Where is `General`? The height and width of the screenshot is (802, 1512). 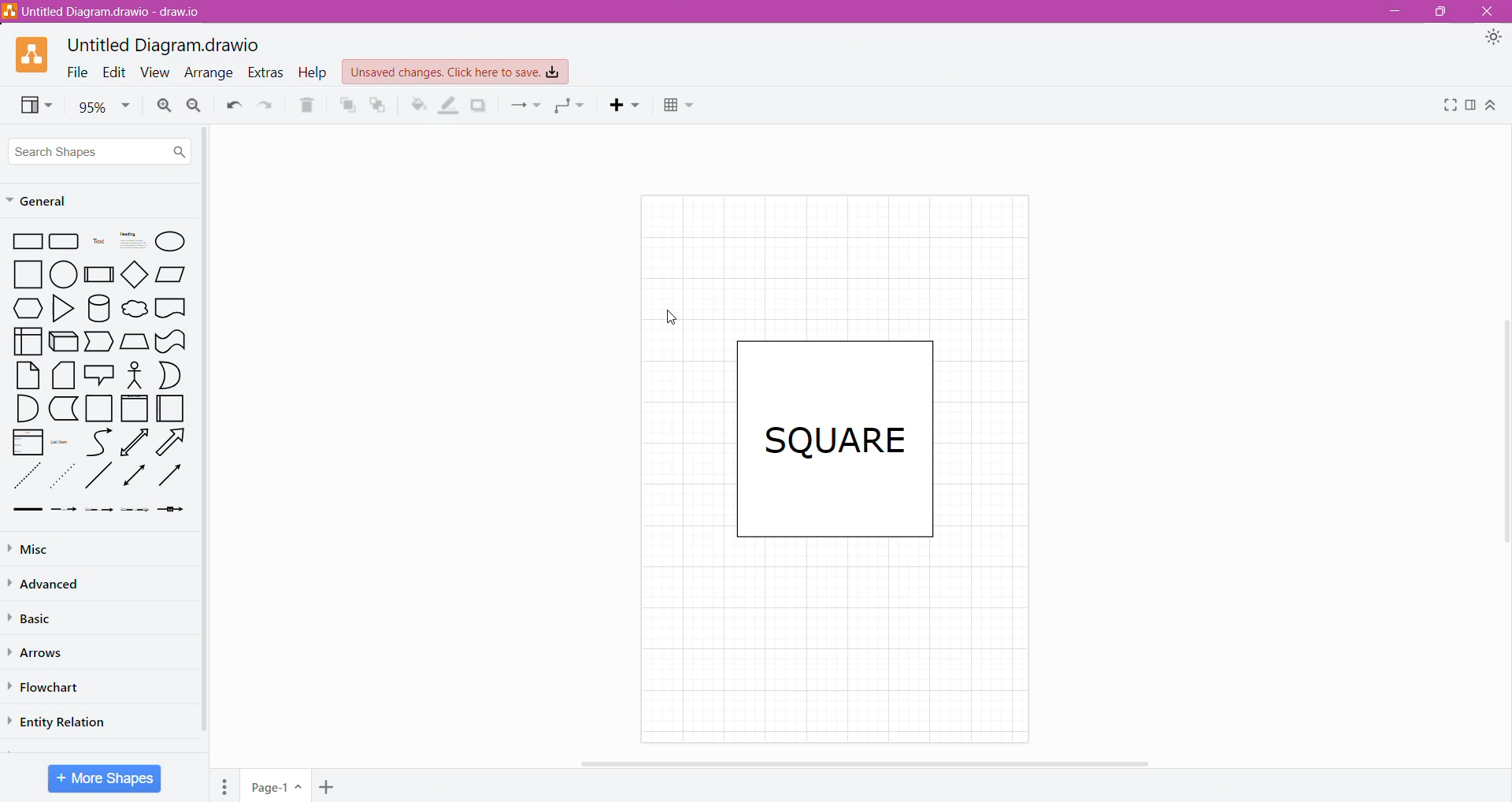
General is located at coordinates (53, 202).